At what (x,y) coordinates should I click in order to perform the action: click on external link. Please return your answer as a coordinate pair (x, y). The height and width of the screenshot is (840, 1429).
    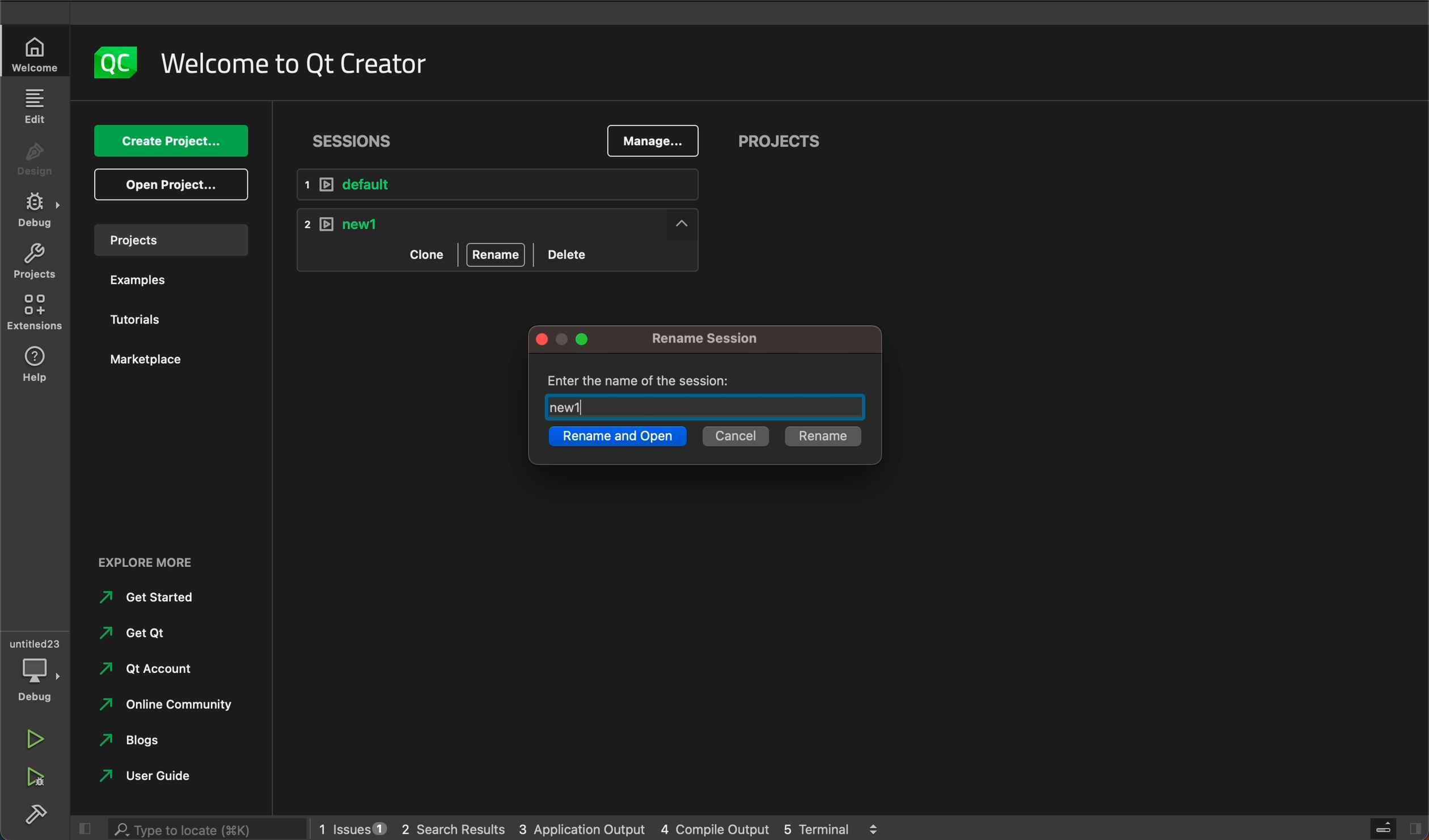
    Looking at the image, I should click on (171, 563).